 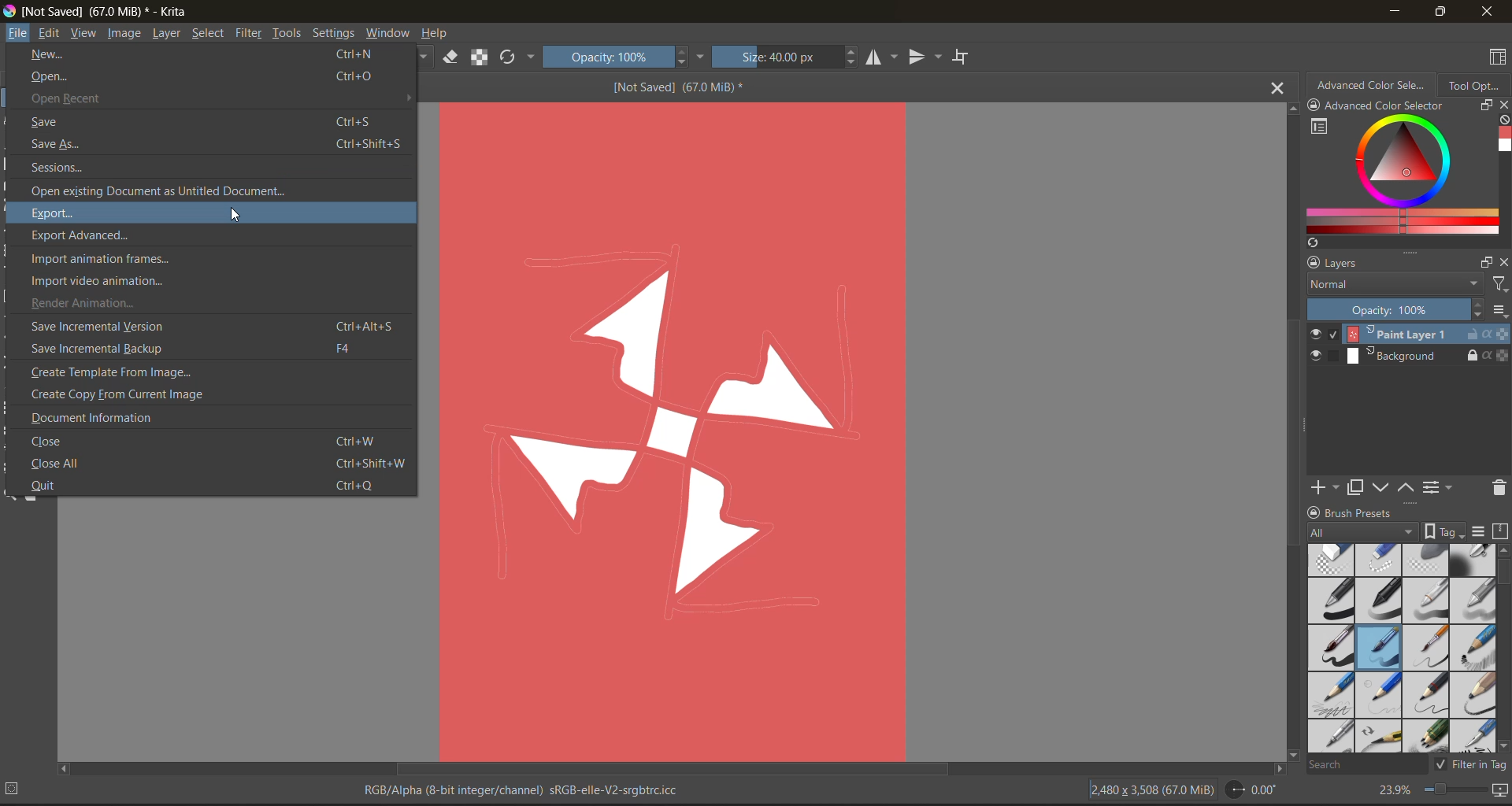 I want to click on app name and file name, so click(x=109, y=9).